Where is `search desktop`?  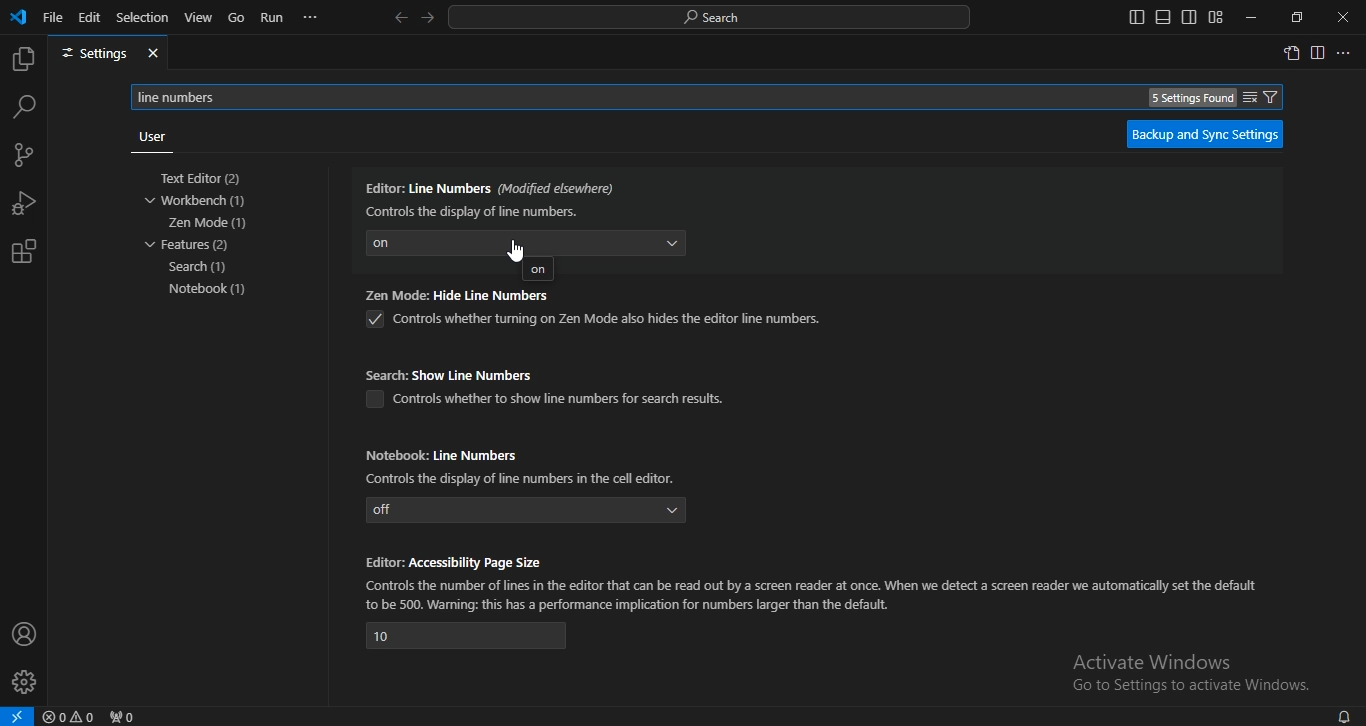 search desktop is located at coordinates (715, 18).